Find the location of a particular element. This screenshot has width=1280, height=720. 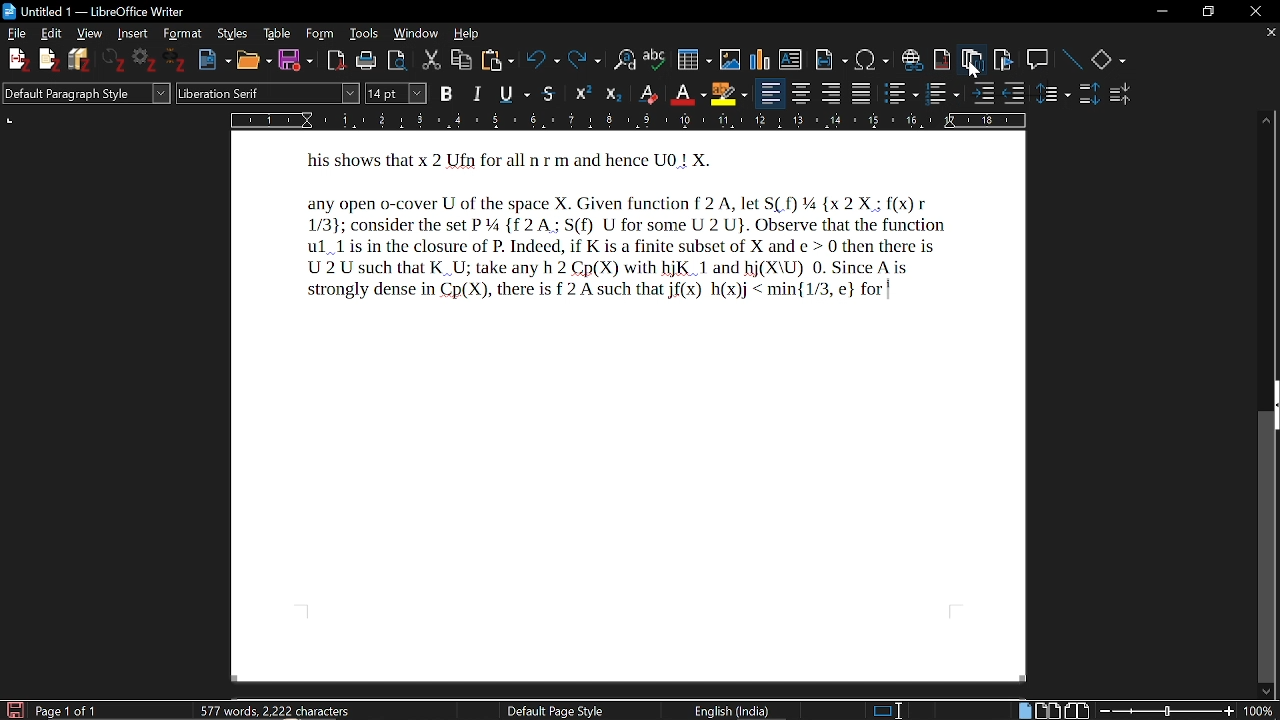

Font size is located at coordinates (396, 93).